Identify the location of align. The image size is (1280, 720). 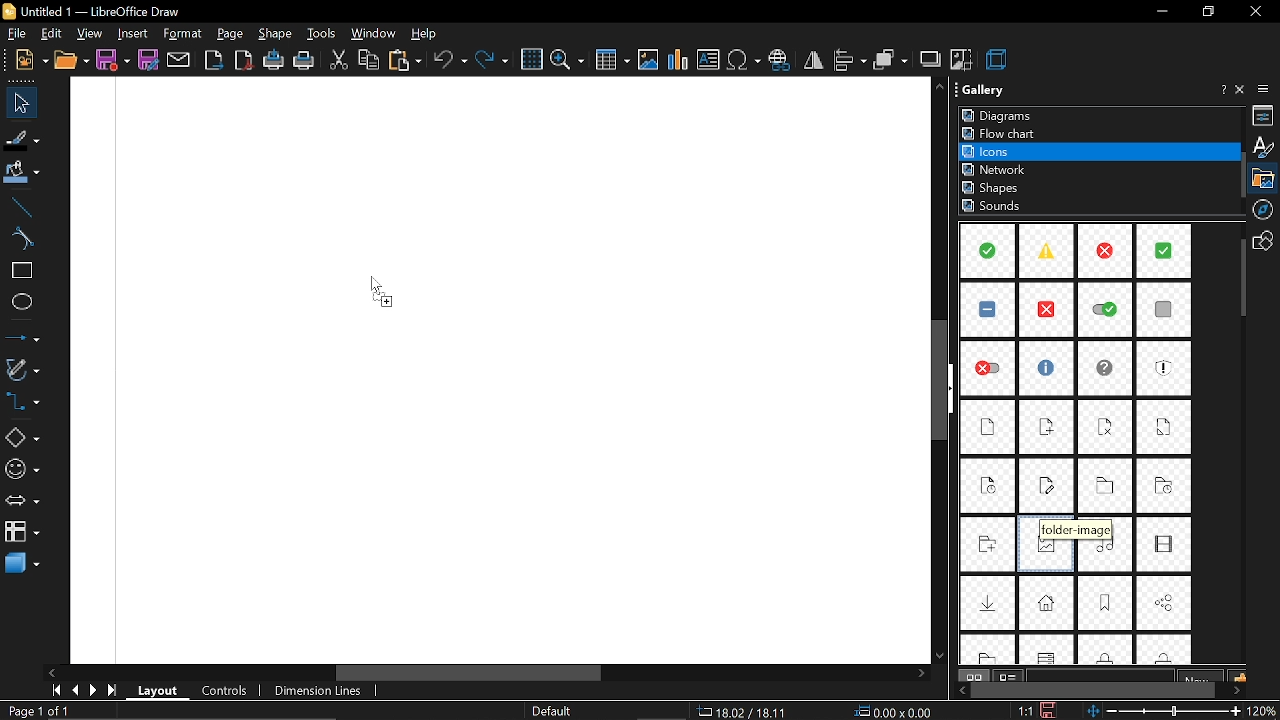
(849, 60).